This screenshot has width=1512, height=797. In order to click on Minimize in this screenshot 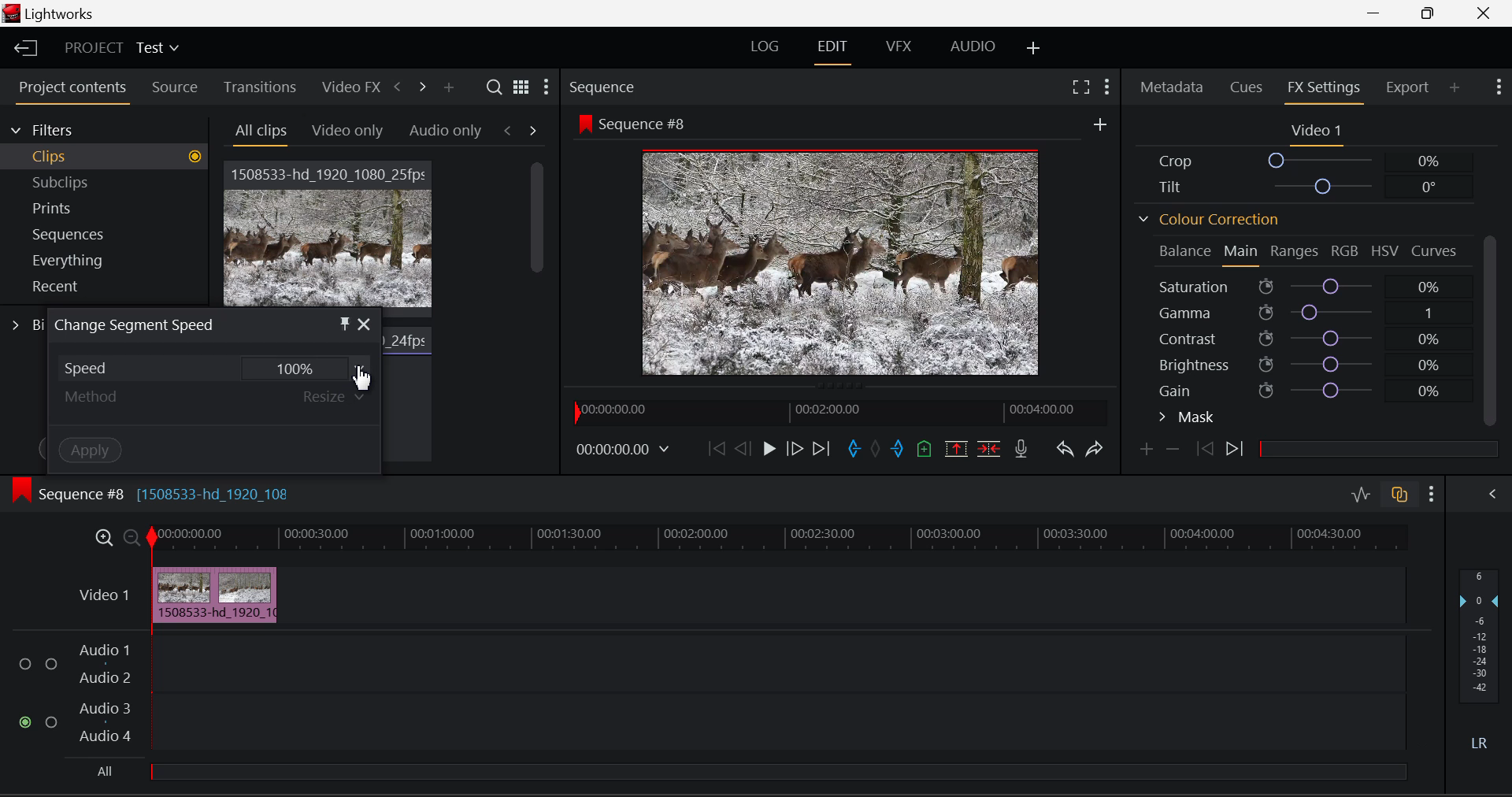, I will do `click(1430, 13)`.